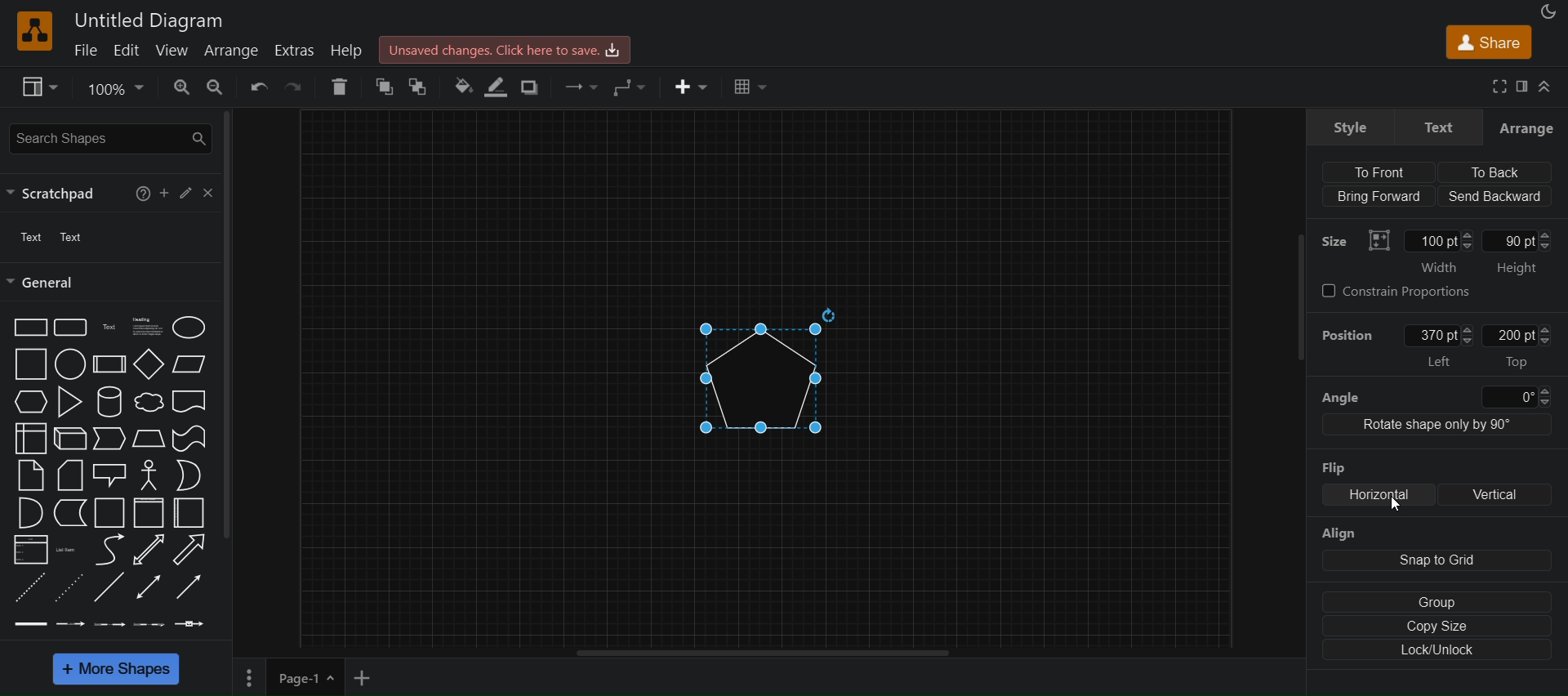 The width and height of the screenshot is (1568, 696). What do you see at coordinates (363, 678) in the screenshot?
I see `add new page` at bounding box center [363, 678].